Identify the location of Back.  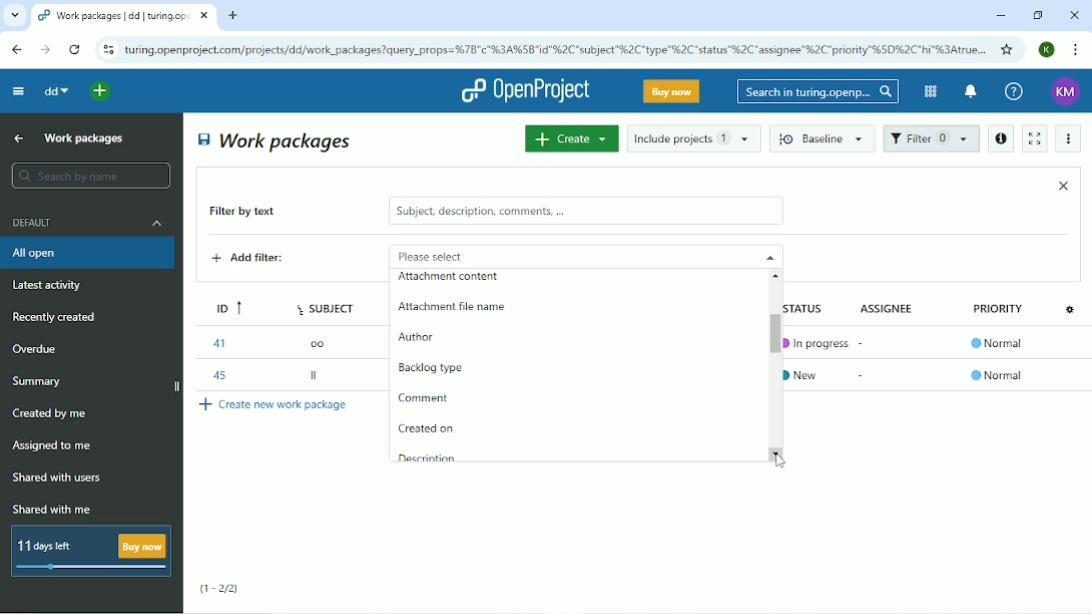
(16, 49).